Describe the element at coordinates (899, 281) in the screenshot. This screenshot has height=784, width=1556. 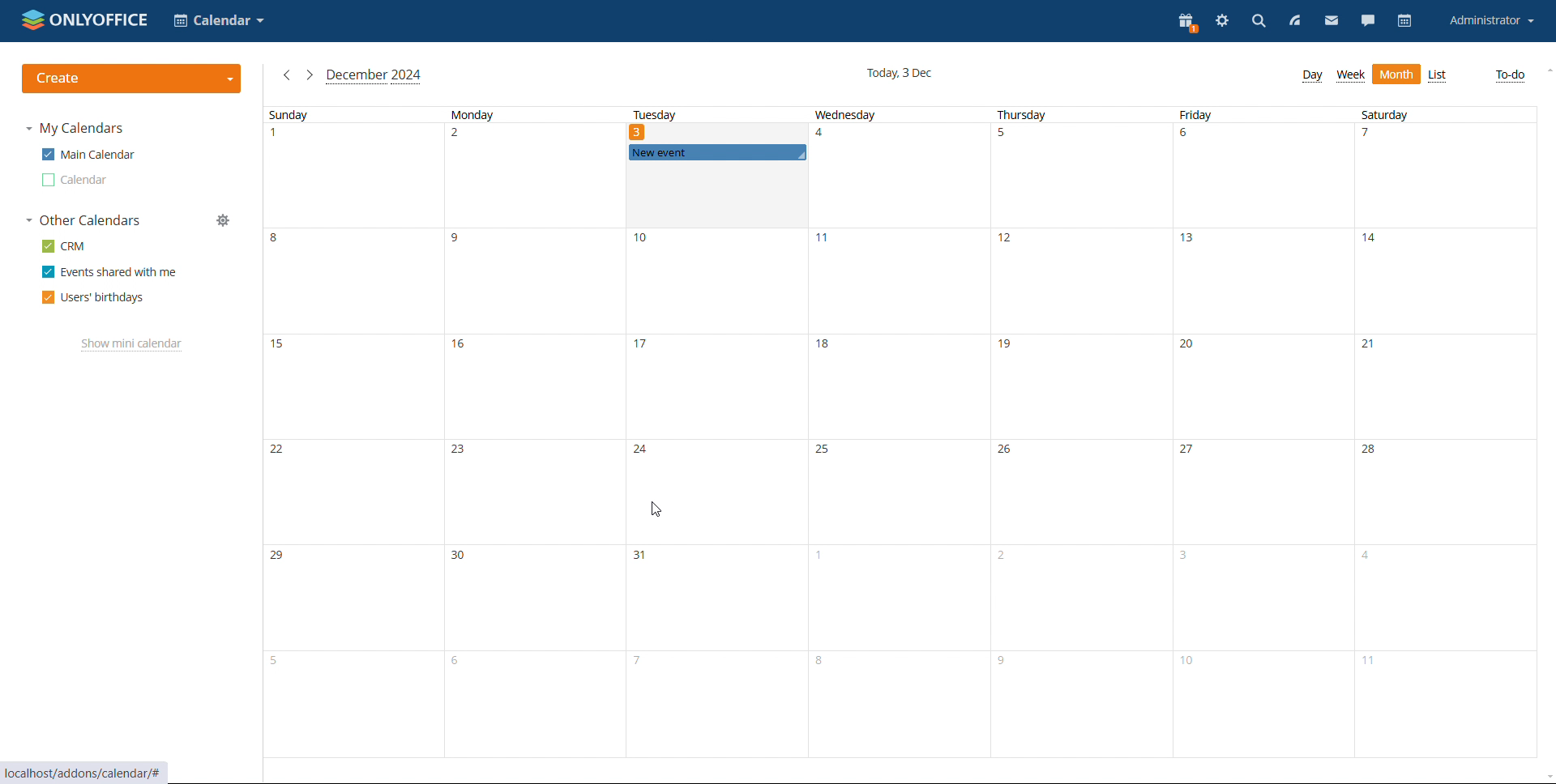
I see `date` at that location.